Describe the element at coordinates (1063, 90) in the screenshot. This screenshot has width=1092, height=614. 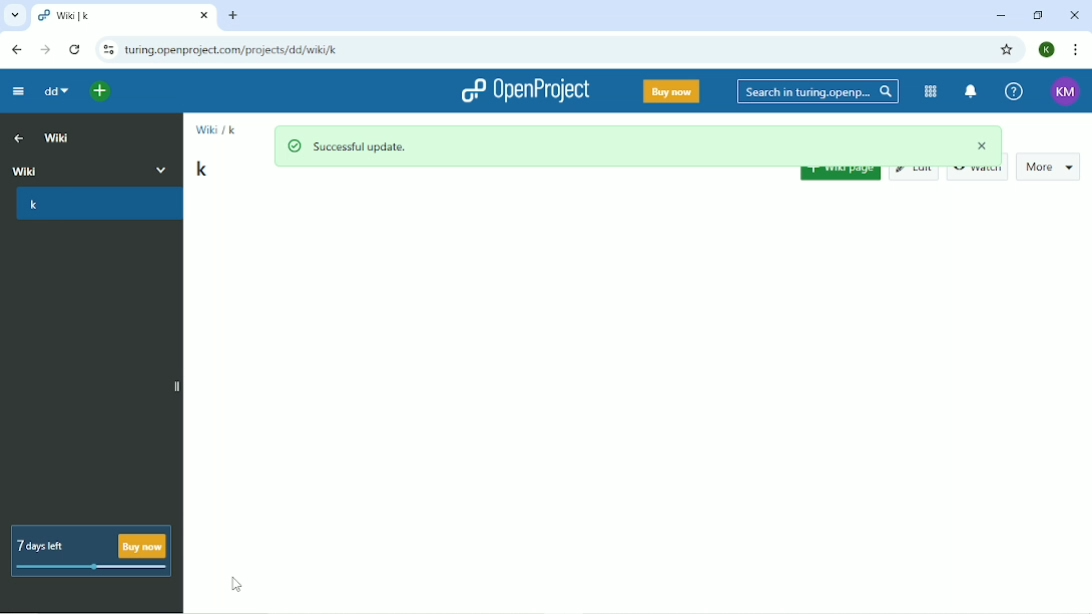
I see `Account` at that location.